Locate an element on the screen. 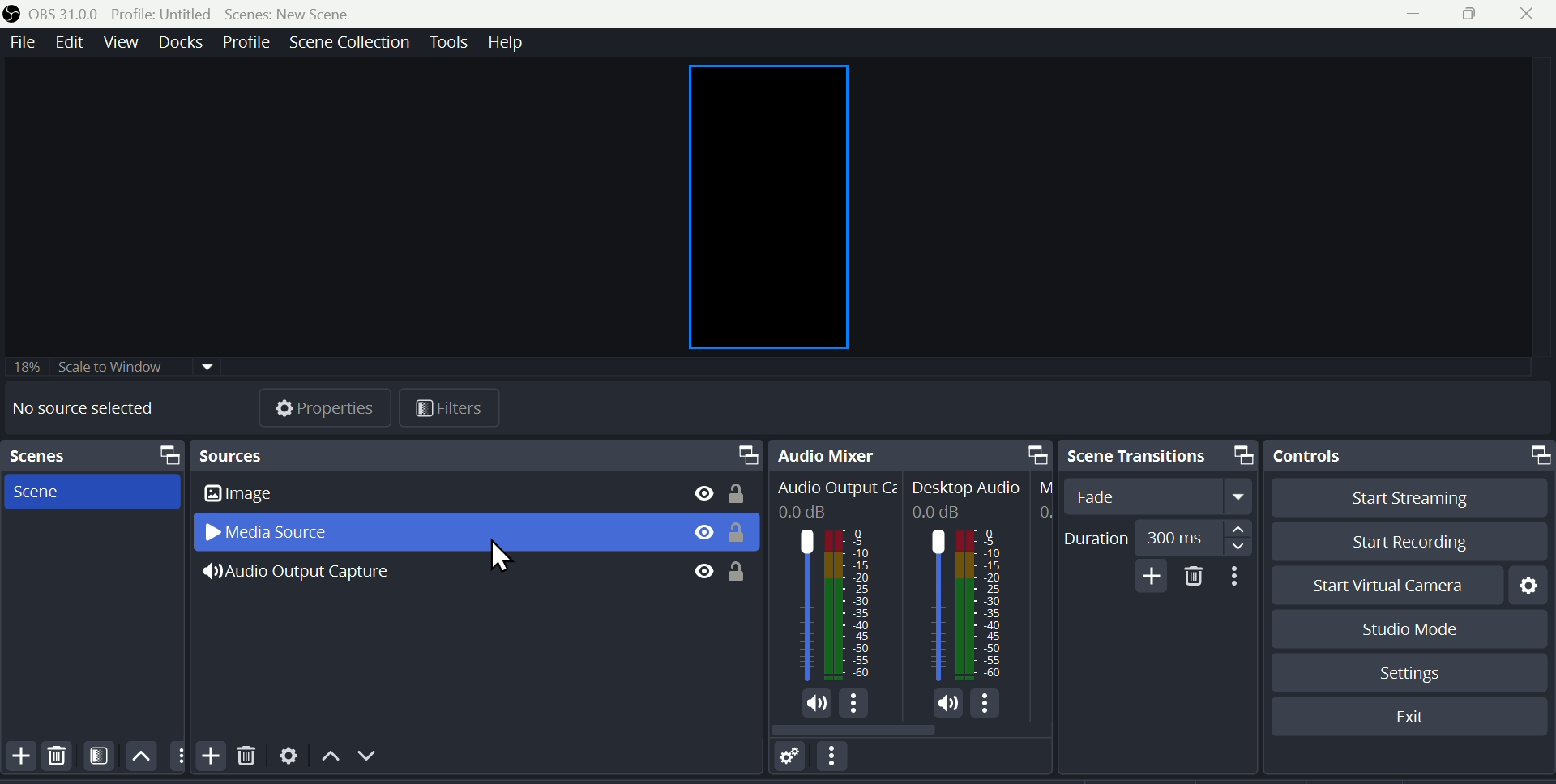  Edit is located at coordinates (72, 43).